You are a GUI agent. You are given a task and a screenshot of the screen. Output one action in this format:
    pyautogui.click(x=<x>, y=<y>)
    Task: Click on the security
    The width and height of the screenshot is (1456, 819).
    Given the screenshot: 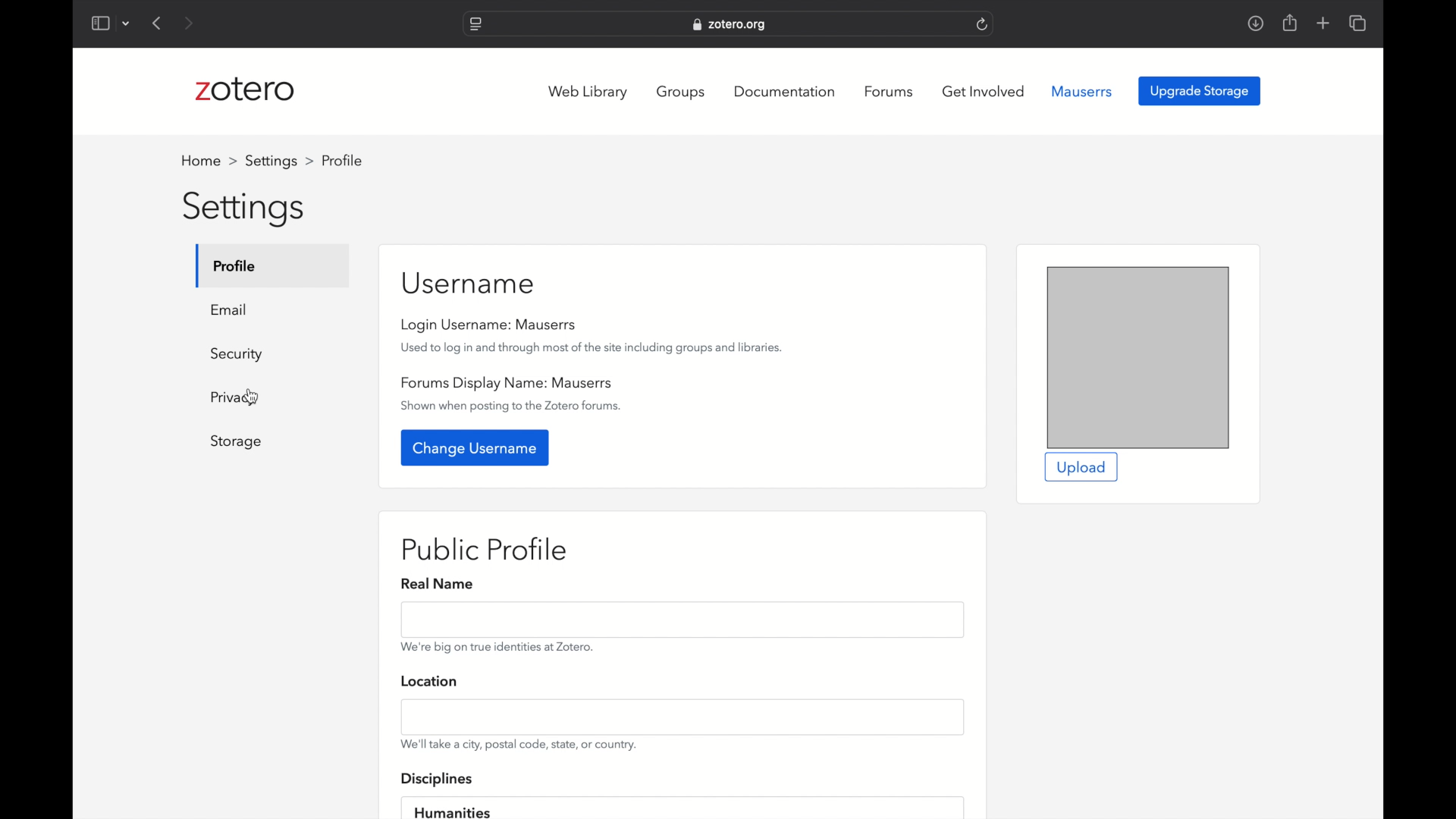 What is the action you would take?
    pyautogui.click(x=237, y=355)
    